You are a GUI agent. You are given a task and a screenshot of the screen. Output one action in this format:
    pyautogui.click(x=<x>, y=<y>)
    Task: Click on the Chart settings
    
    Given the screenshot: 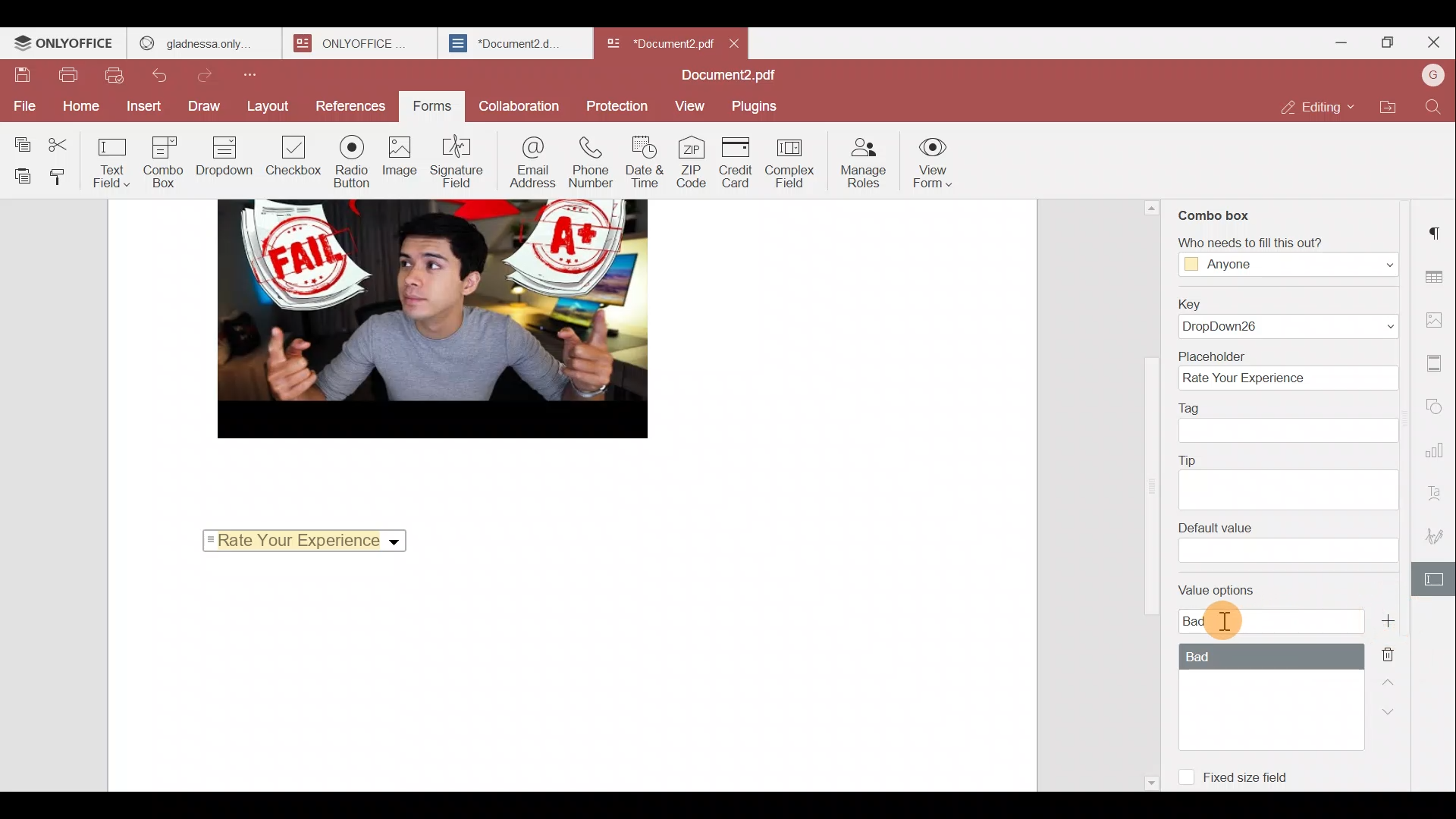 What is the action you would take?
    pyautogui.click(x=1439, y=452)
    